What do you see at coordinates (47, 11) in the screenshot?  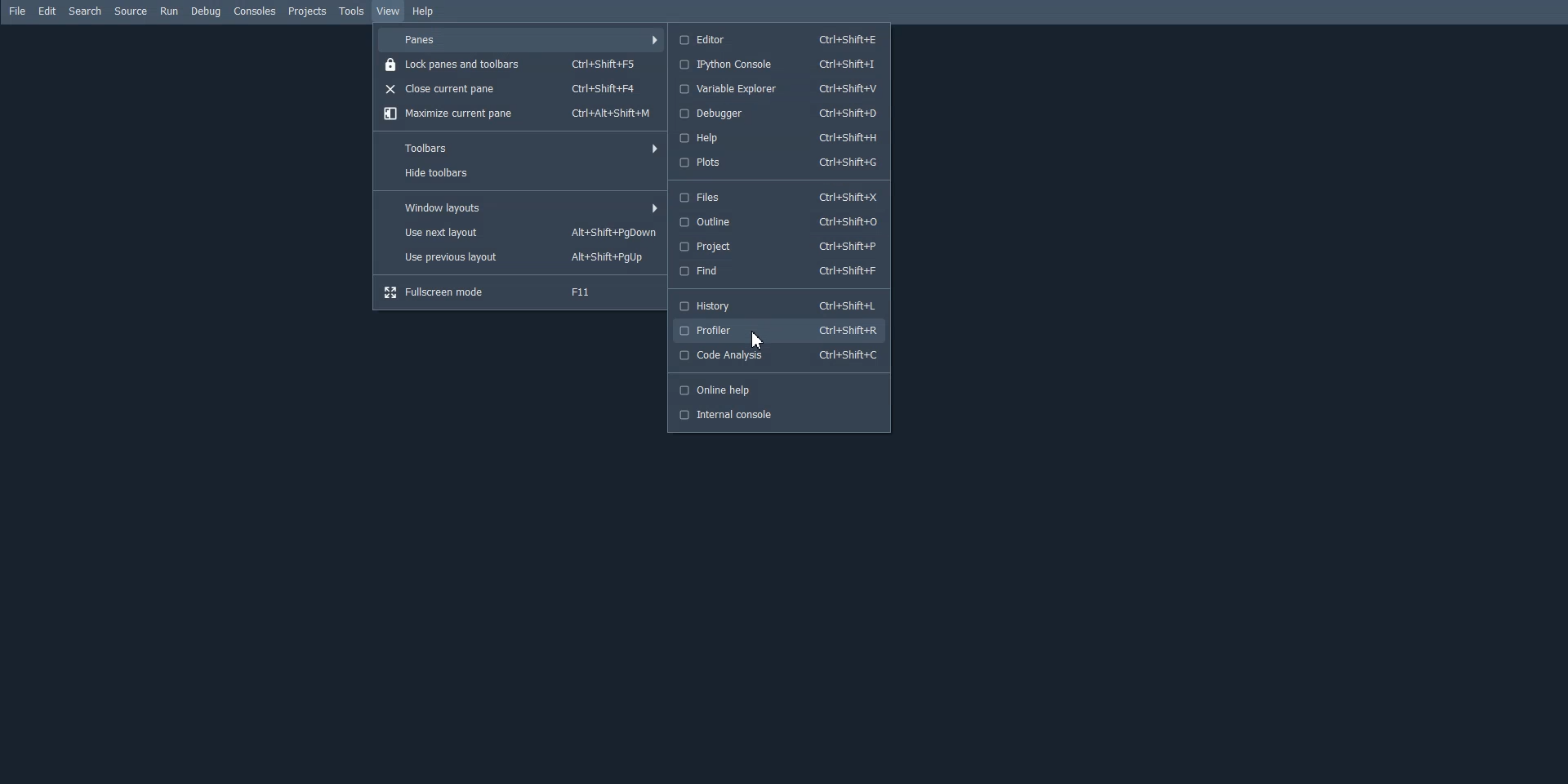 I see `Edit` at bounding box center [47, 11].